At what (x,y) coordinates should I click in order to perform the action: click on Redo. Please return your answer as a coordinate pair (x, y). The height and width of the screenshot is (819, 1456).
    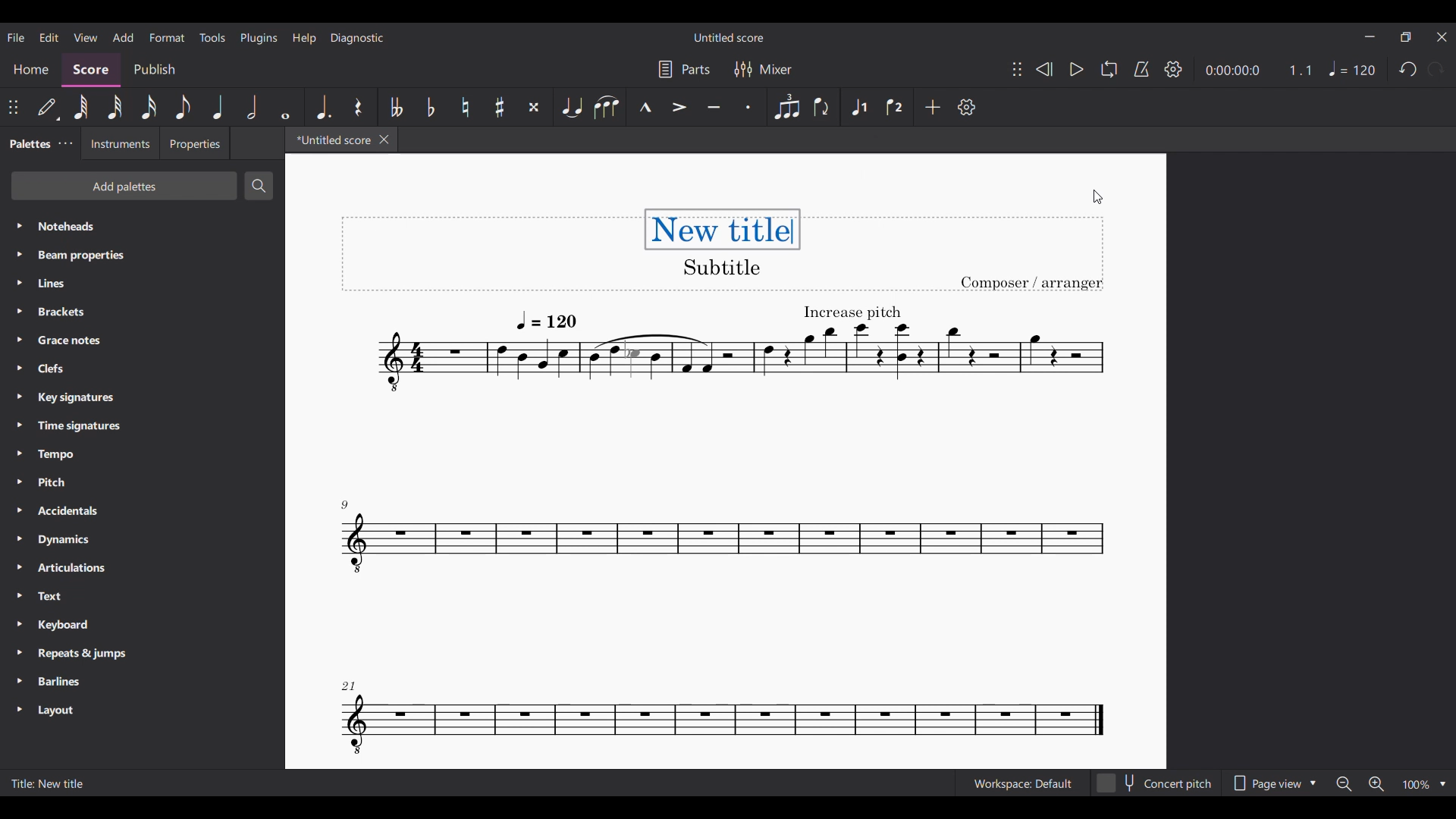
    Looking at the image, I should click on (1436, 69).